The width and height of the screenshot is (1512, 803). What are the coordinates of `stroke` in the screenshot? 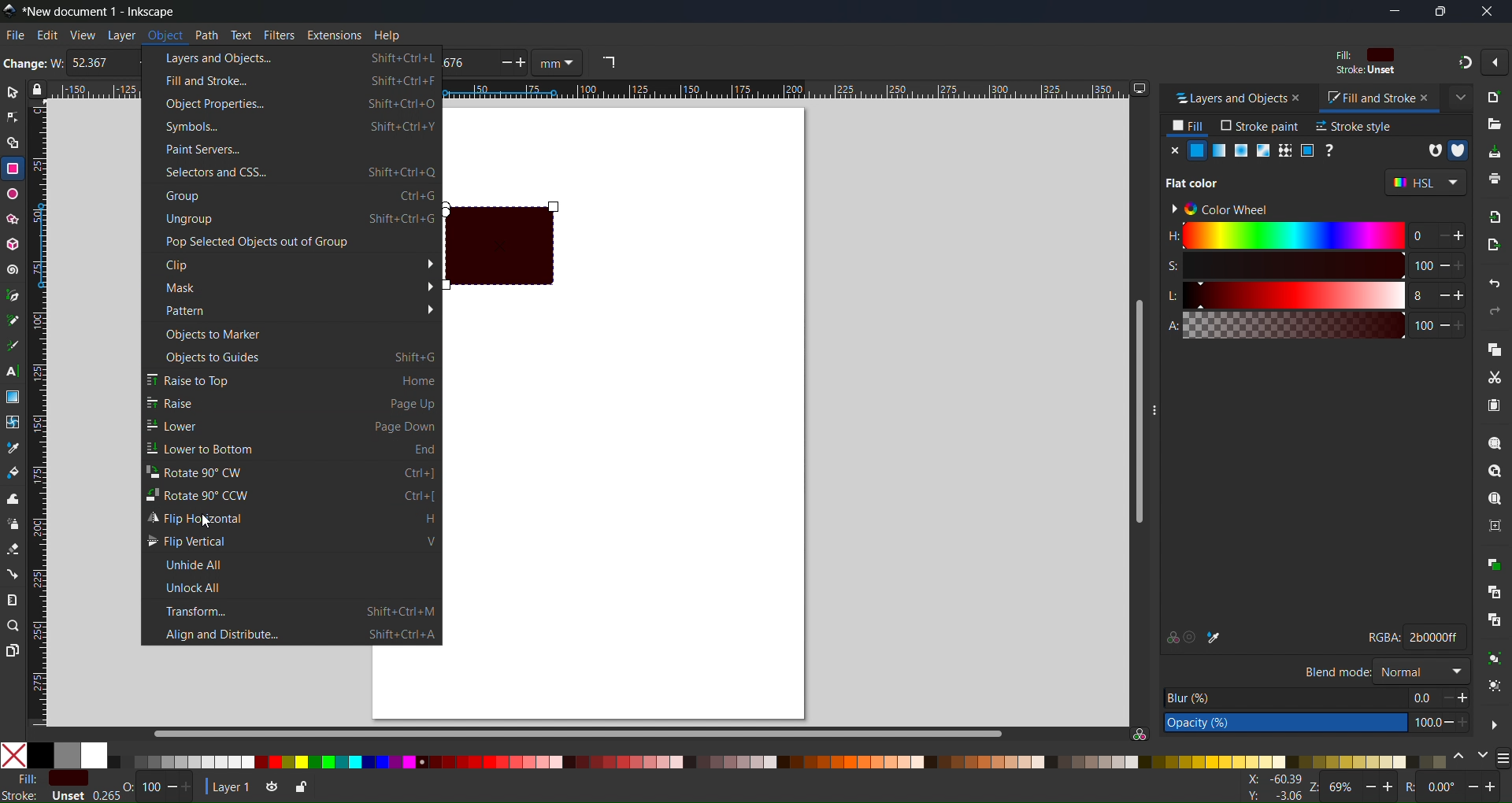 It's located at (20, 795).